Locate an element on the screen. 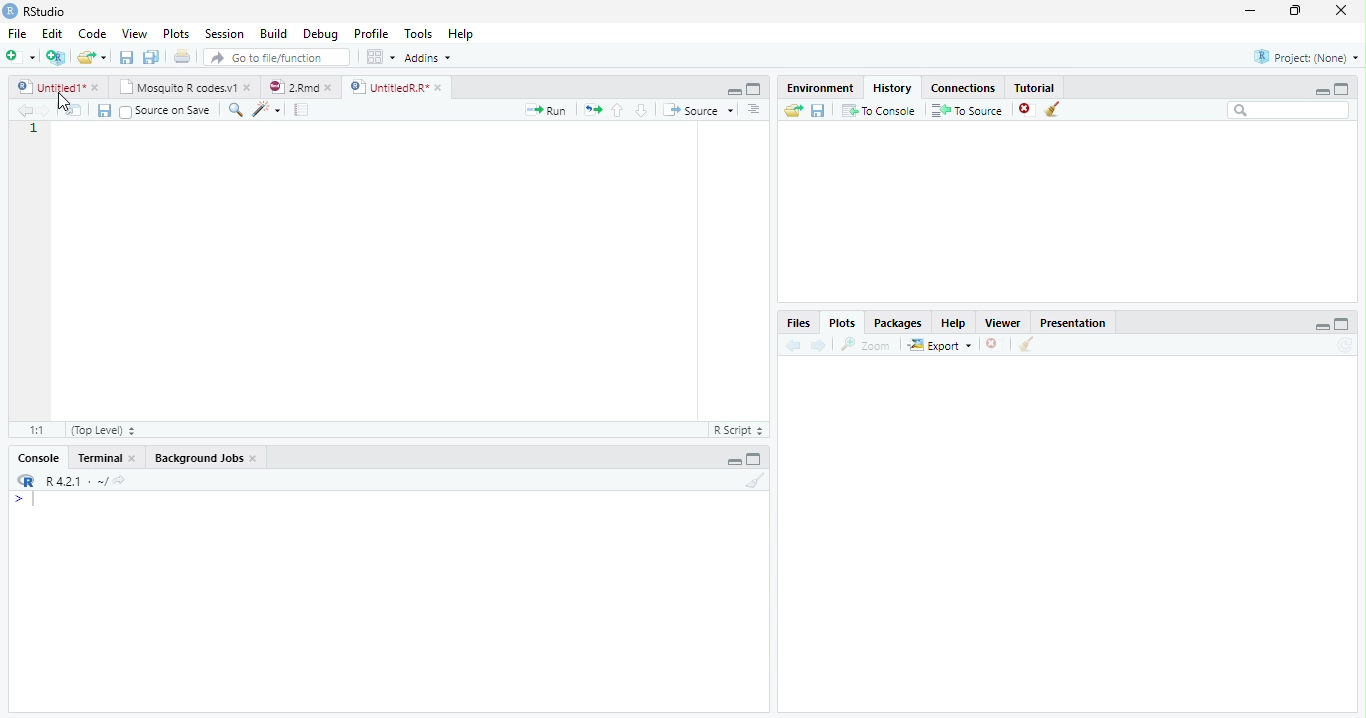 Image resolution: width=1366 pixels, height=718 pixels. Addins is located at coordinates (428, 58).